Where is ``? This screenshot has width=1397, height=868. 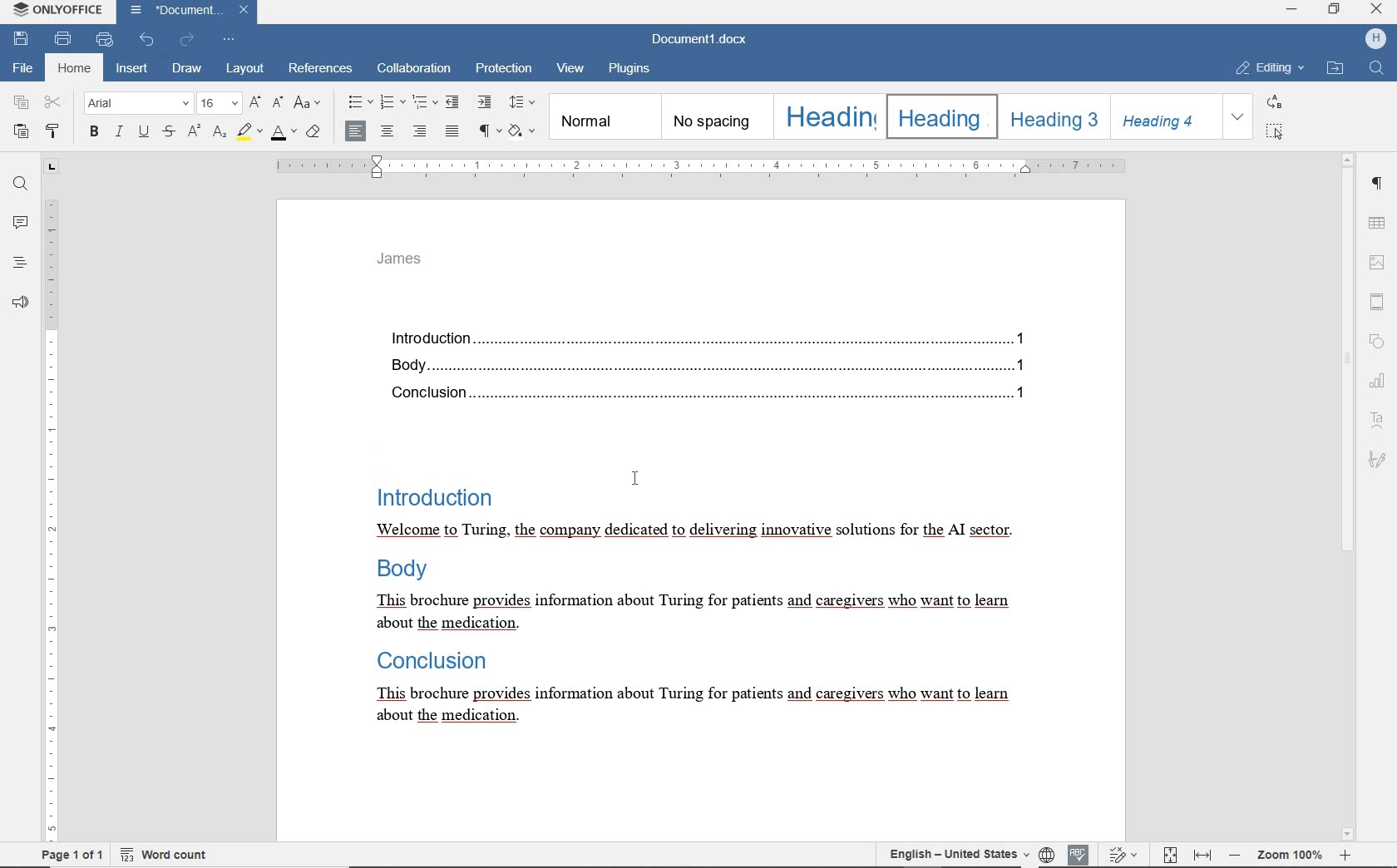  is located at coordinates (431, 658).